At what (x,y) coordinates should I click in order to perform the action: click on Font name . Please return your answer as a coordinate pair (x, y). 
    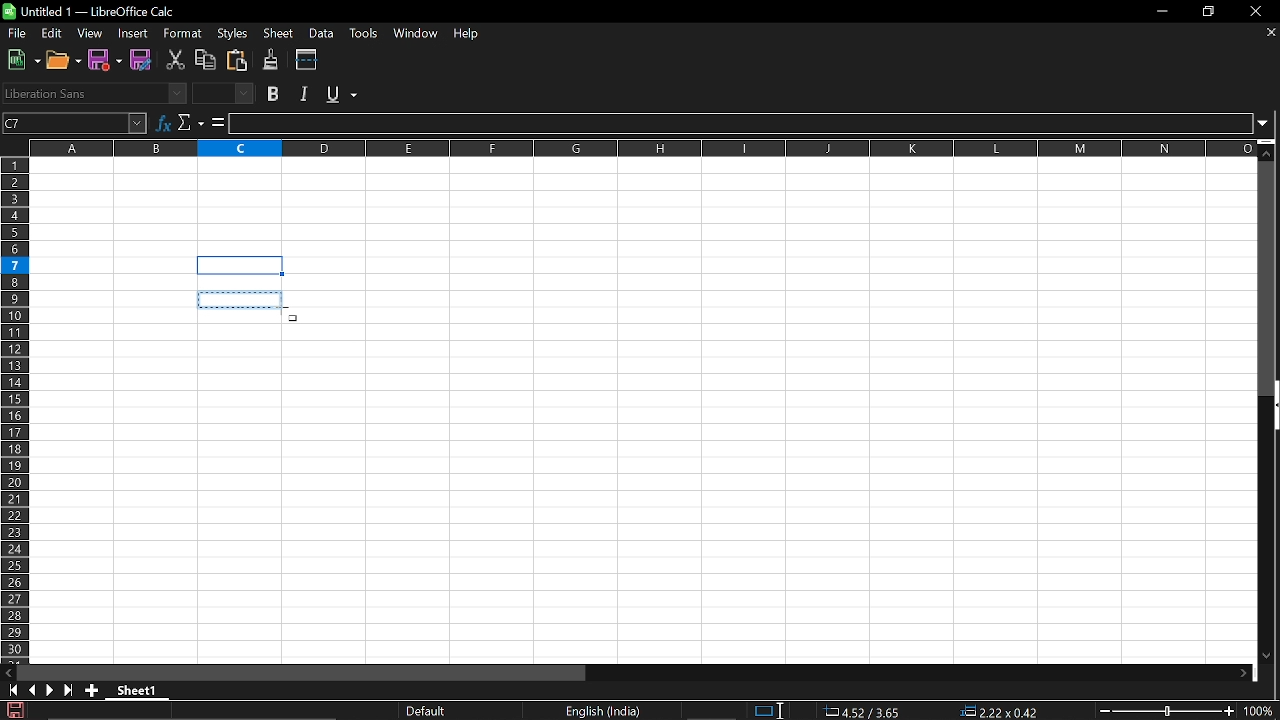
    Looking at the image, I should click on (94, 93).